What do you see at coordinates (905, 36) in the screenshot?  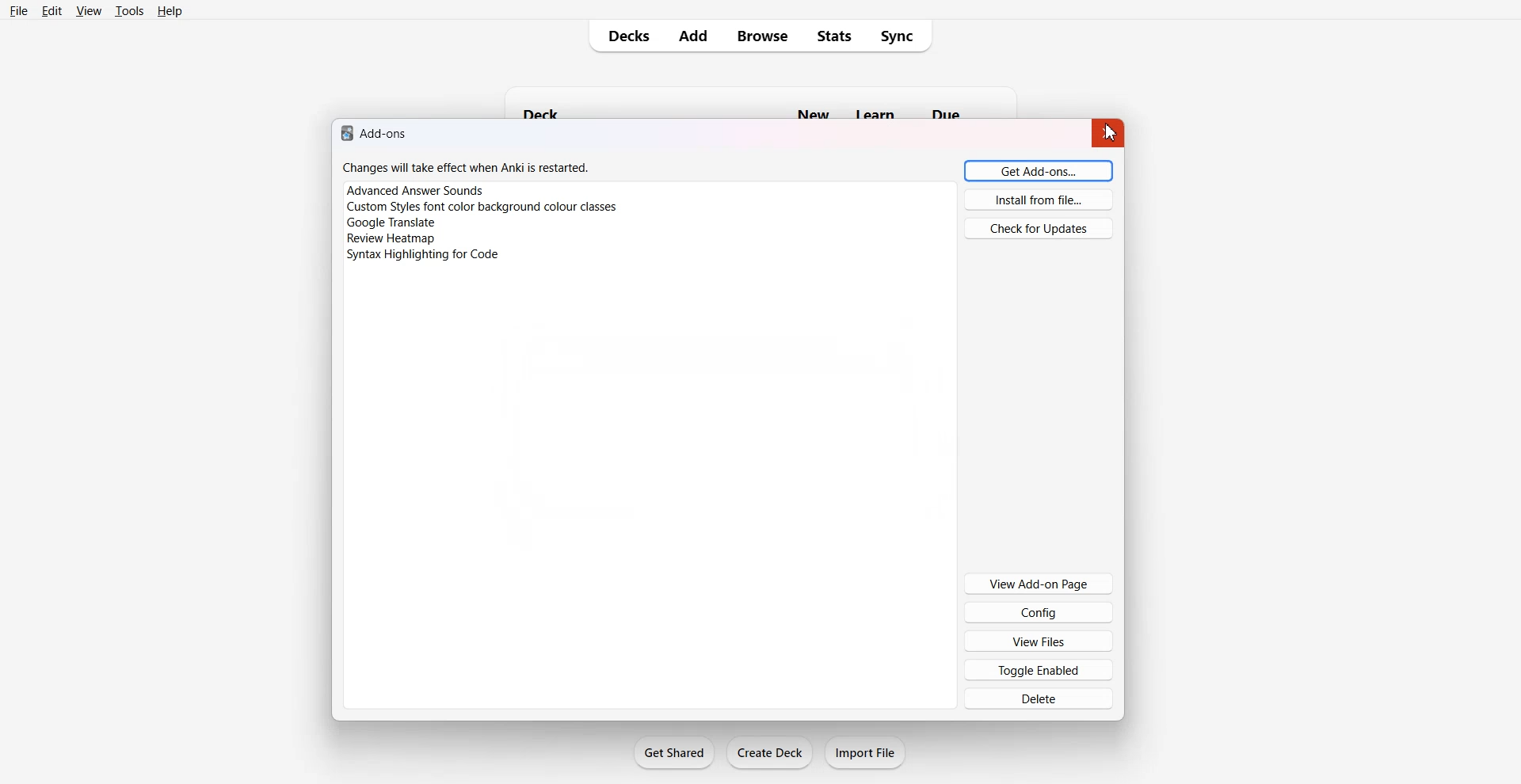 I see `Sync` at bounding box center [905, 36].